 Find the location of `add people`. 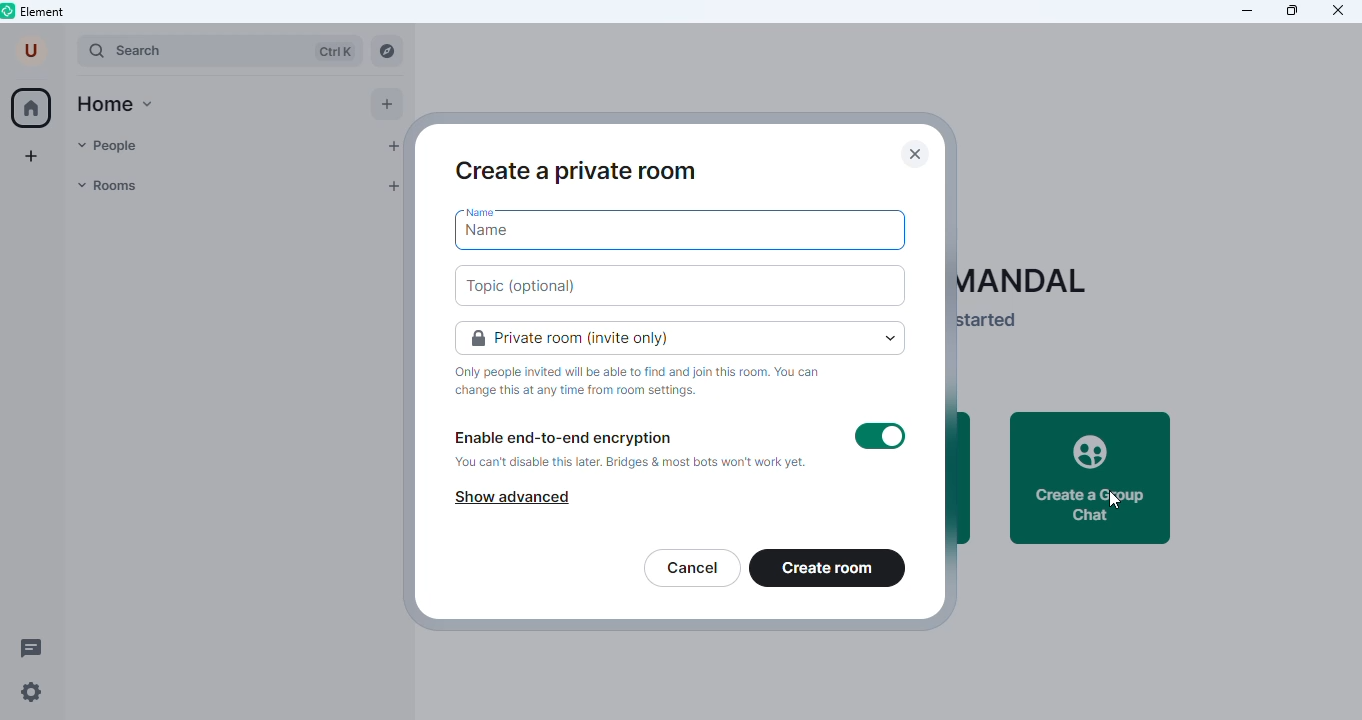

add people is located at coordinates (397, 147).